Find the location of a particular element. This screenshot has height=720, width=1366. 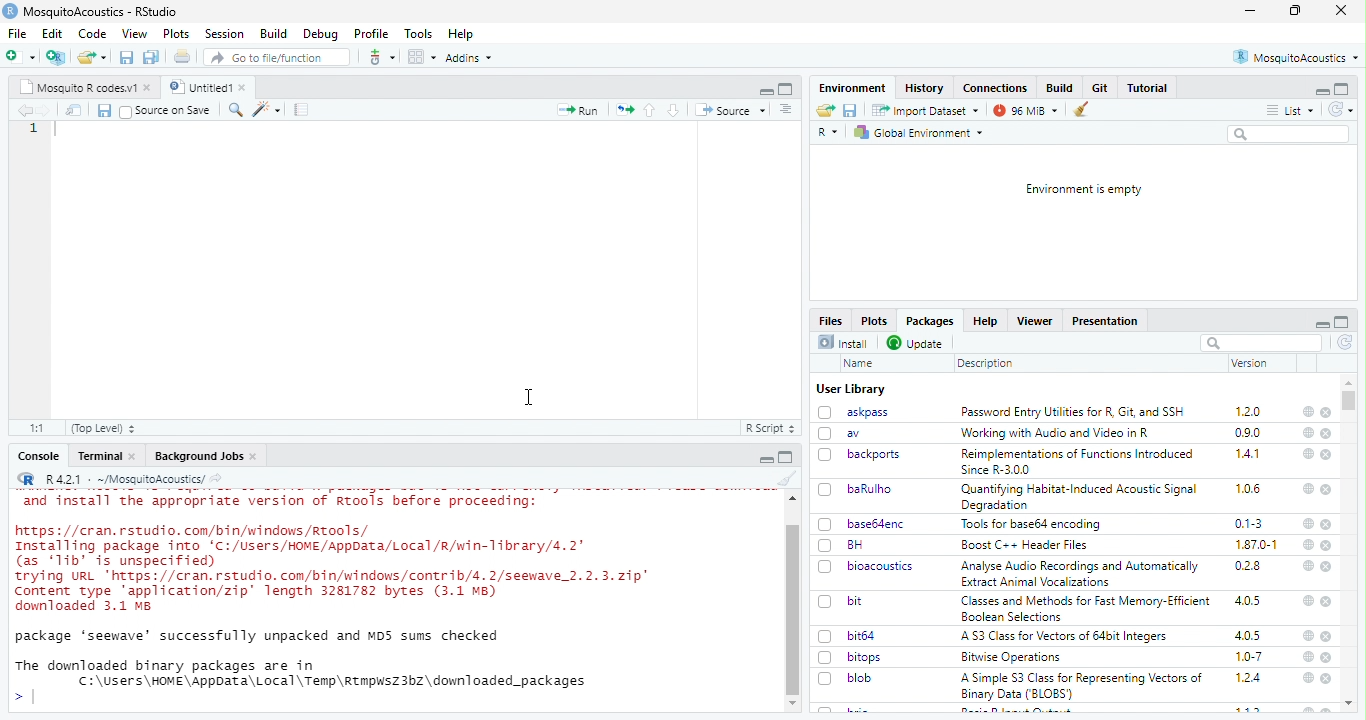

Presentation is located at coordinates (1105, 322).